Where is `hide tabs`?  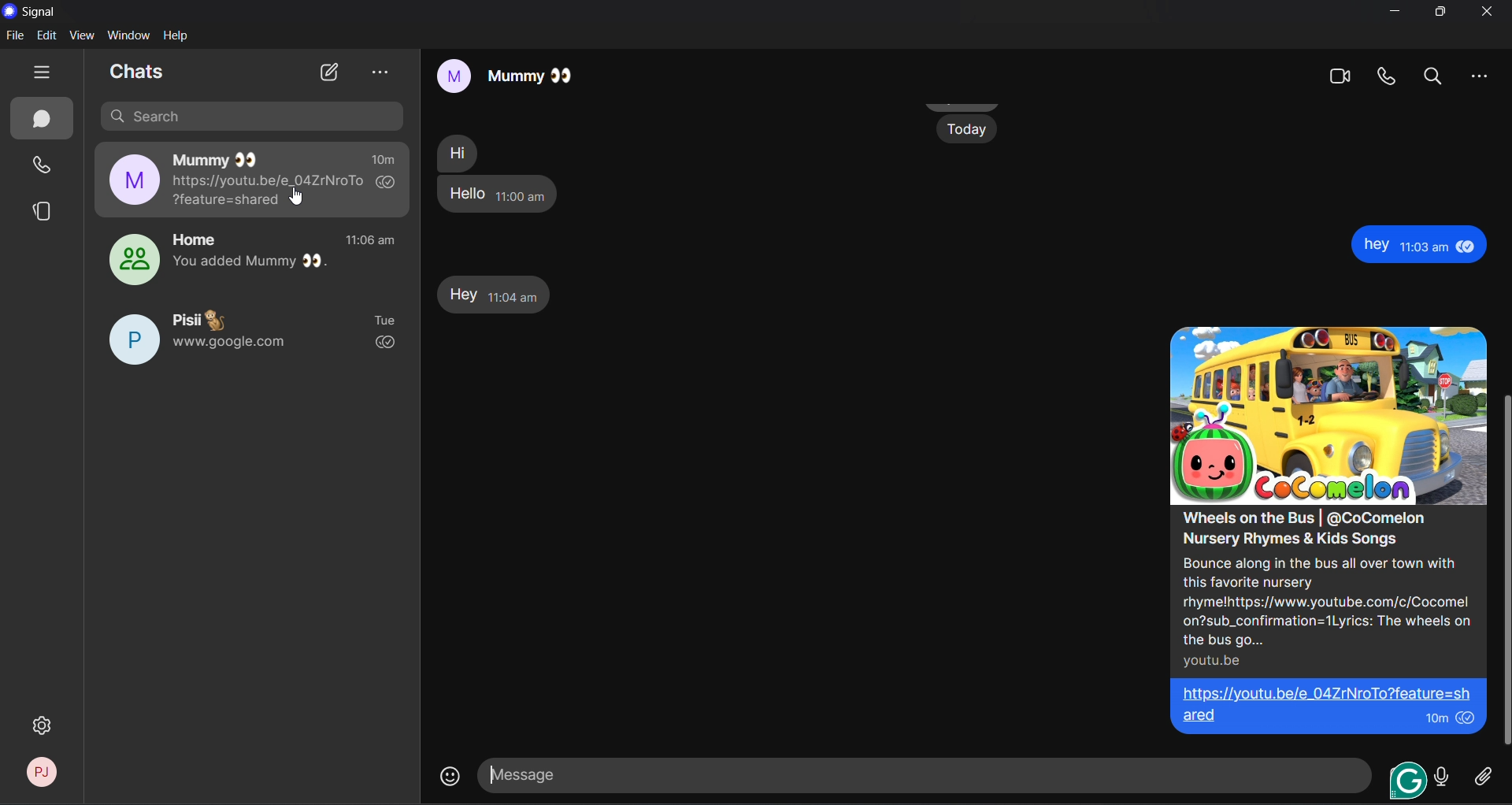
hide tabs is located at coordinates (43, 72).